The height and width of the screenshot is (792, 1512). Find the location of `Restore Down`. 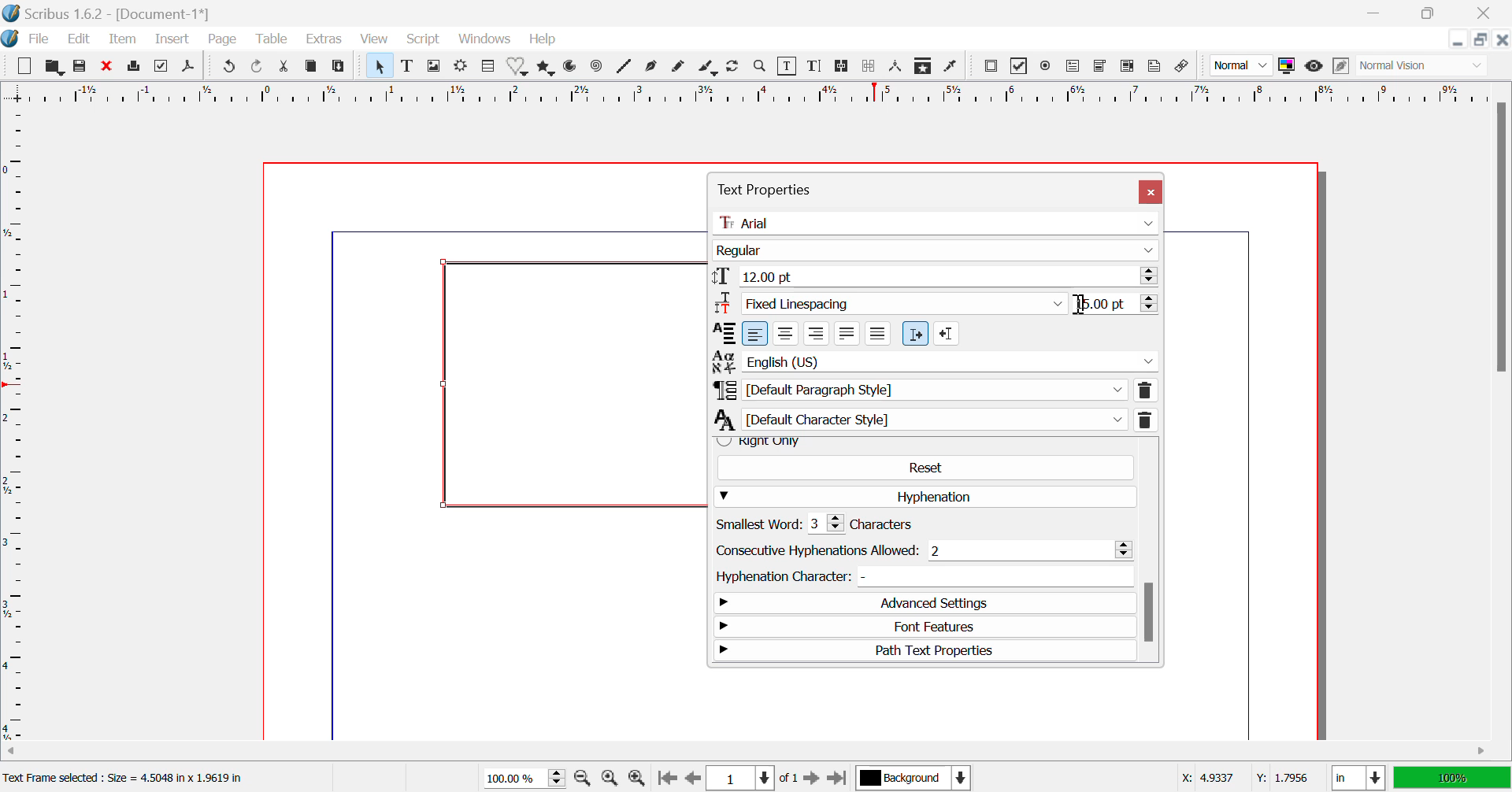

Restore Down is located at coordinates (1378, 12).